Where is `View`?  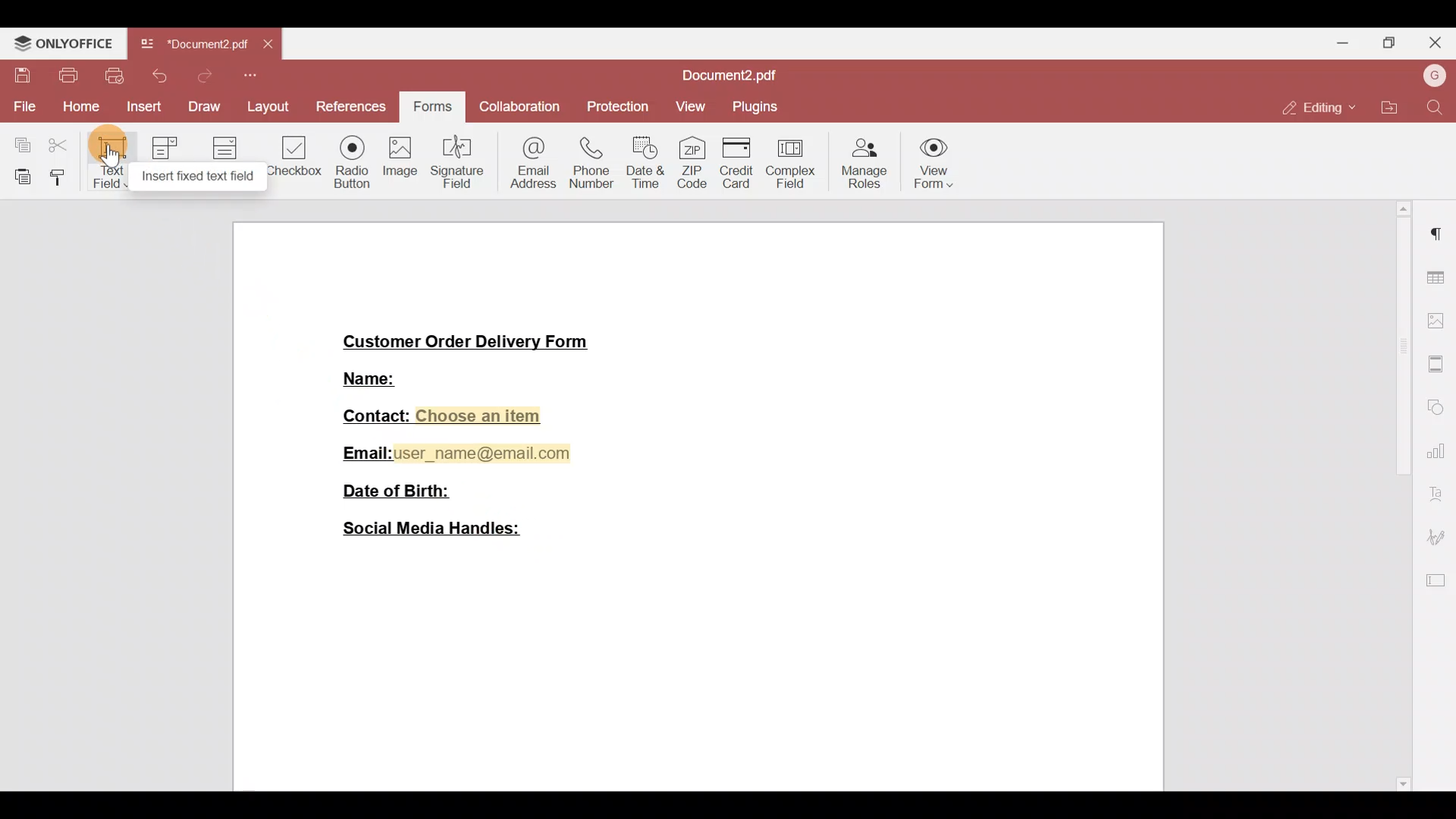 View is located at coordinates (689, 110).